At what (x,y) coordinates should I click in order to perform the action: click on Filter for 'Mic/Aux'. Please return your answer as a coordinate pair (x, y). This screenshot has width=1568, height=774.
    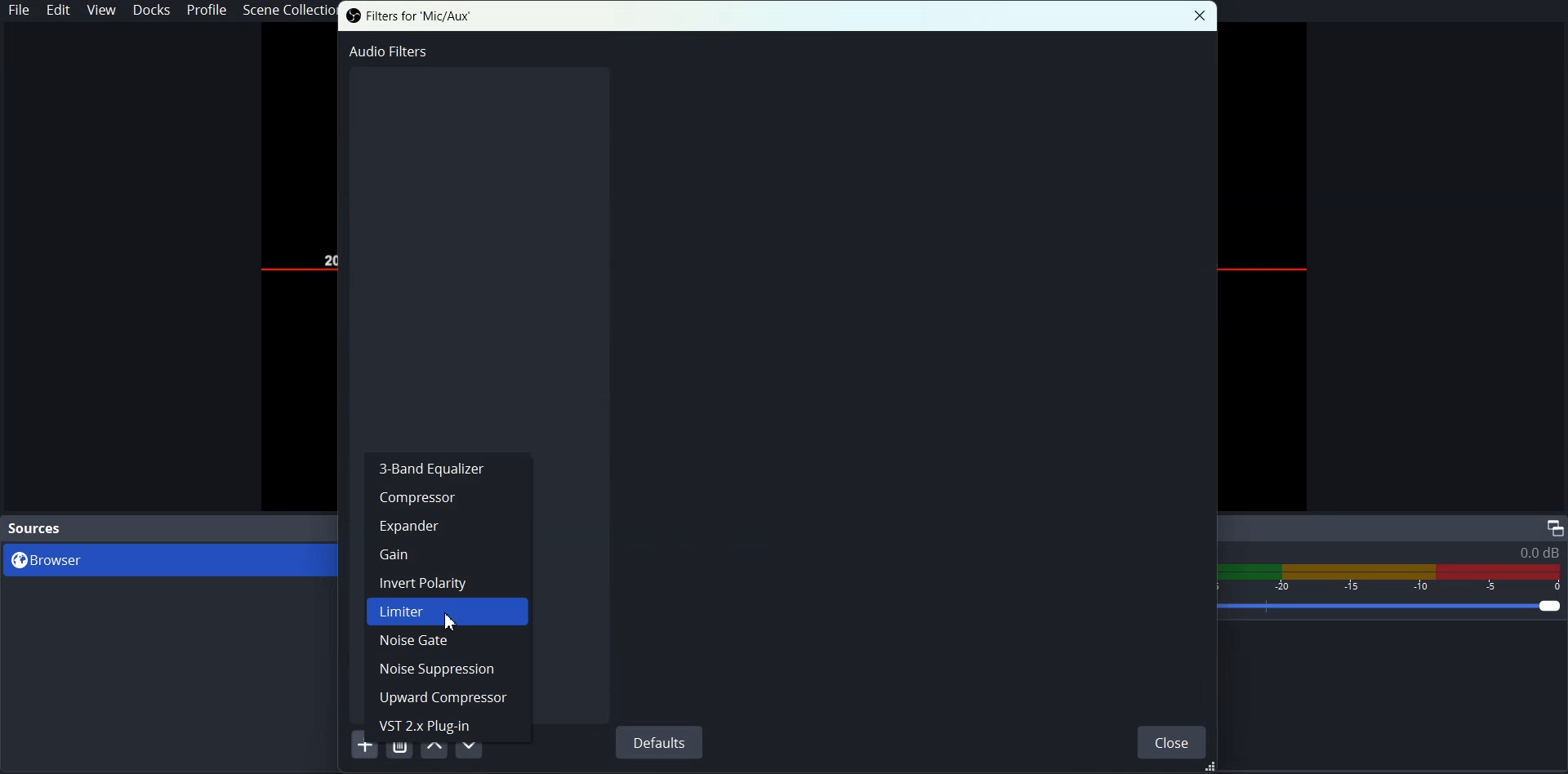
    Looking at the image, I should click on (408, 16).